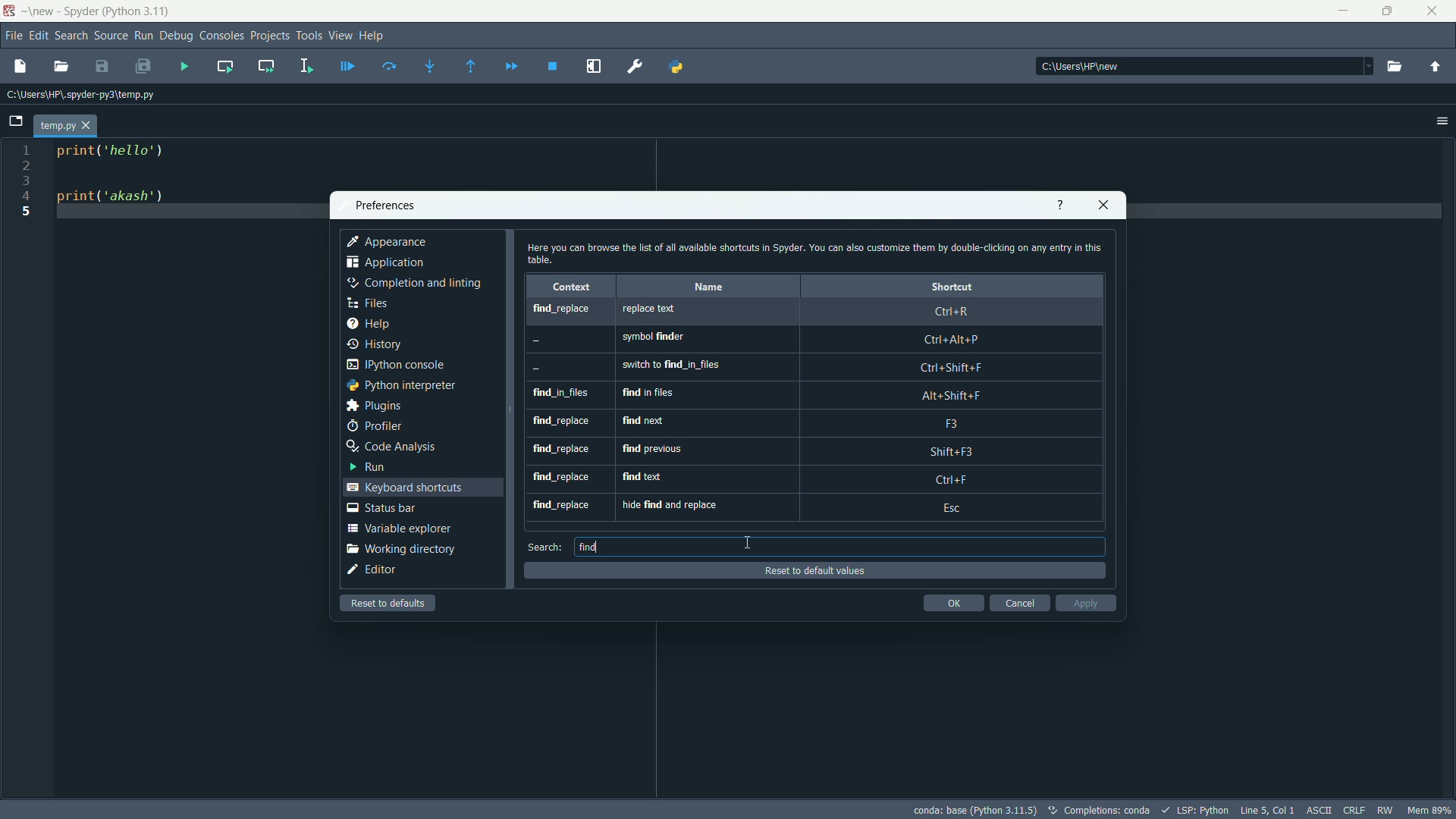  Describe the element at coordinates (1385, 808) in the screenshot. I see `RW` at that location.